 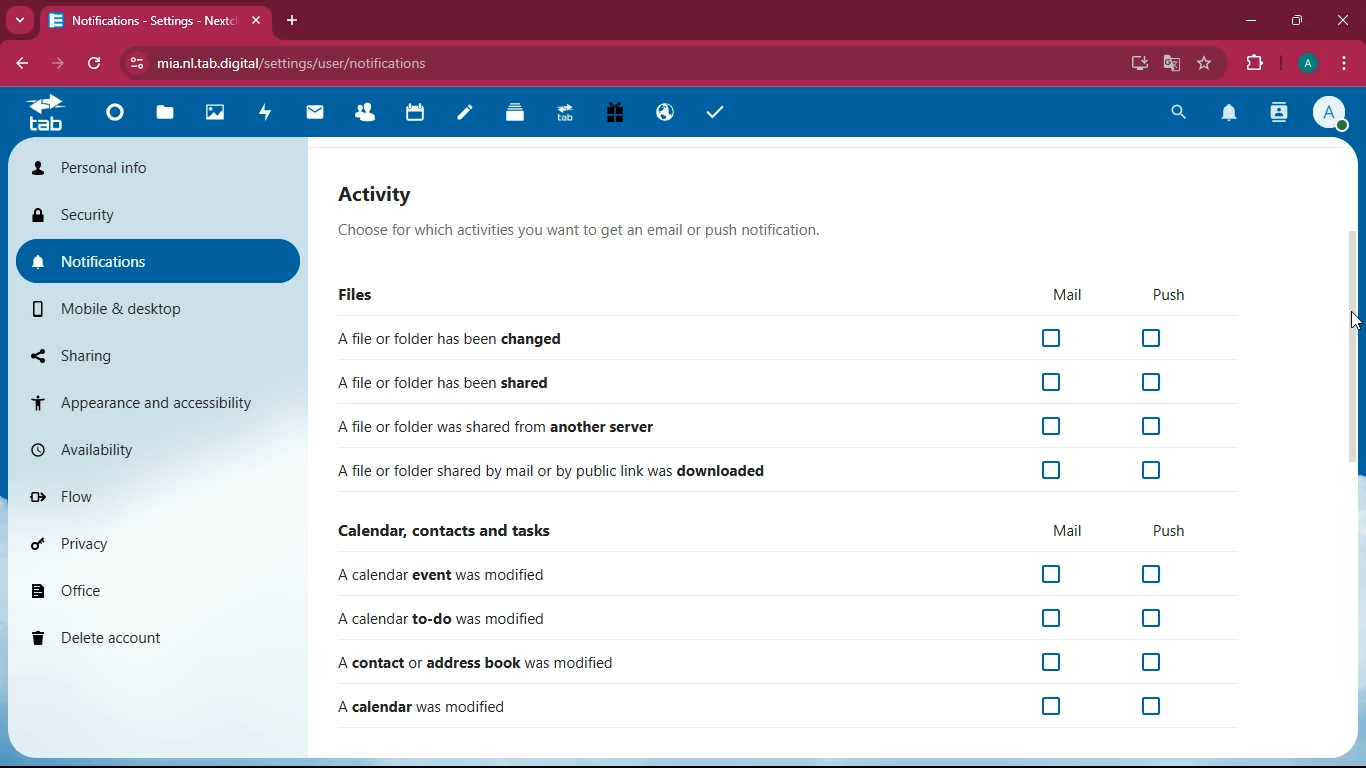 What do you see at coordinates (1255, 66) in the screenshot?
I see `extensions` at bounding box center [1255, 66].